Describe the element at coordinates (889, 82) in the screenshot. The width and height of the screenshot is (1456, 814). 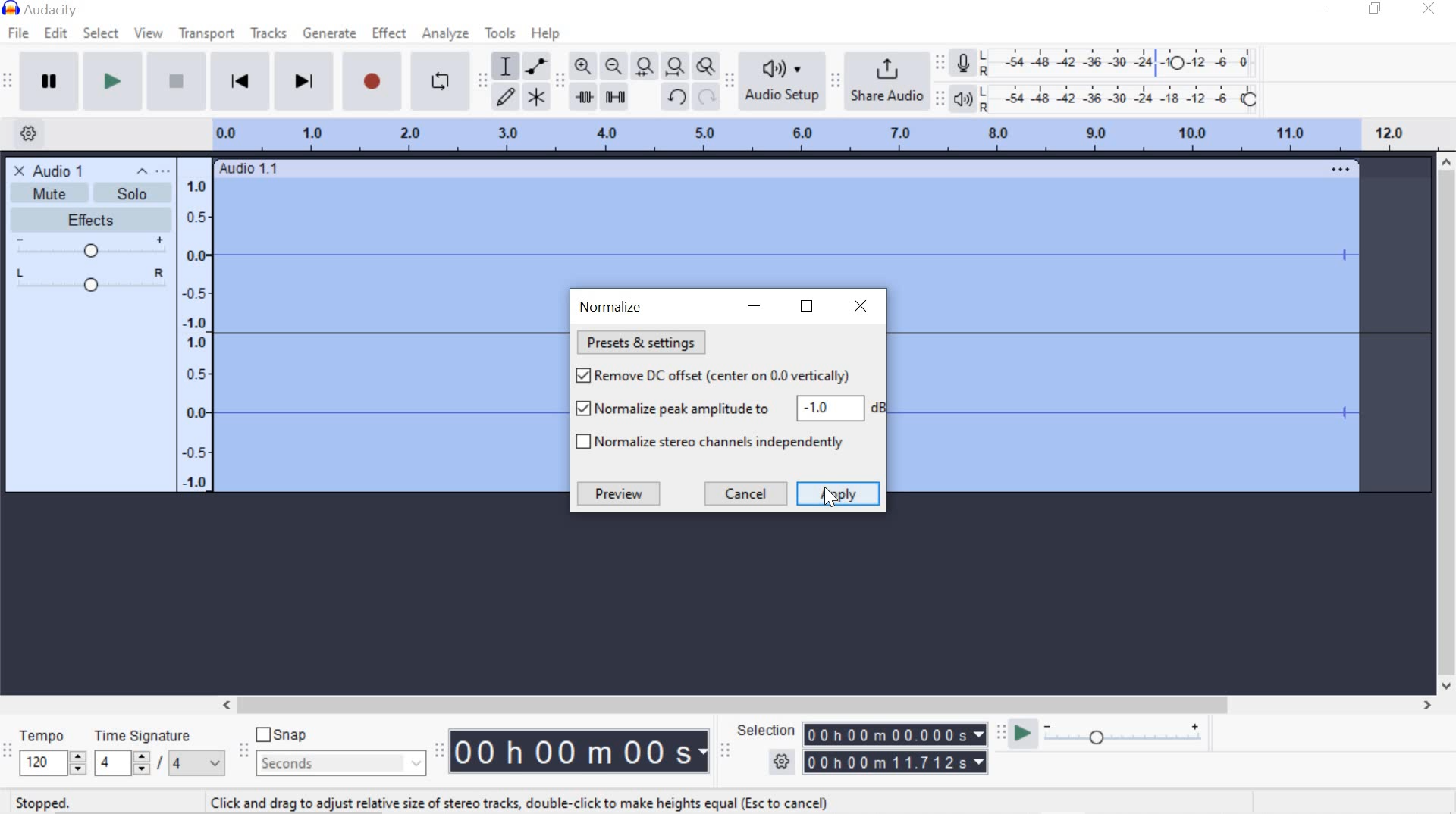
I see `Share audio` at that location.